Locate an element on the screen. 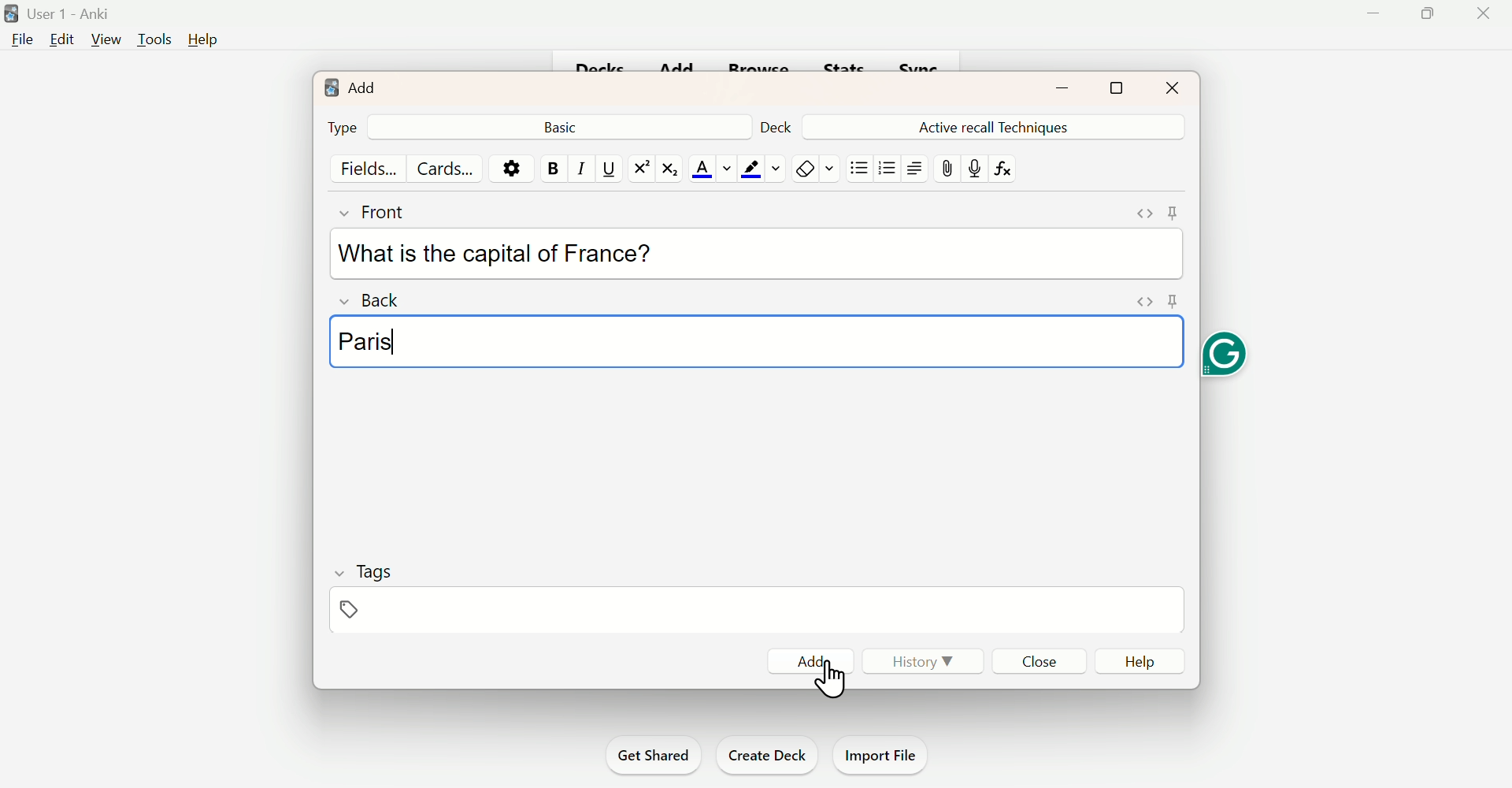  Type is located at coordinates (344, 128).